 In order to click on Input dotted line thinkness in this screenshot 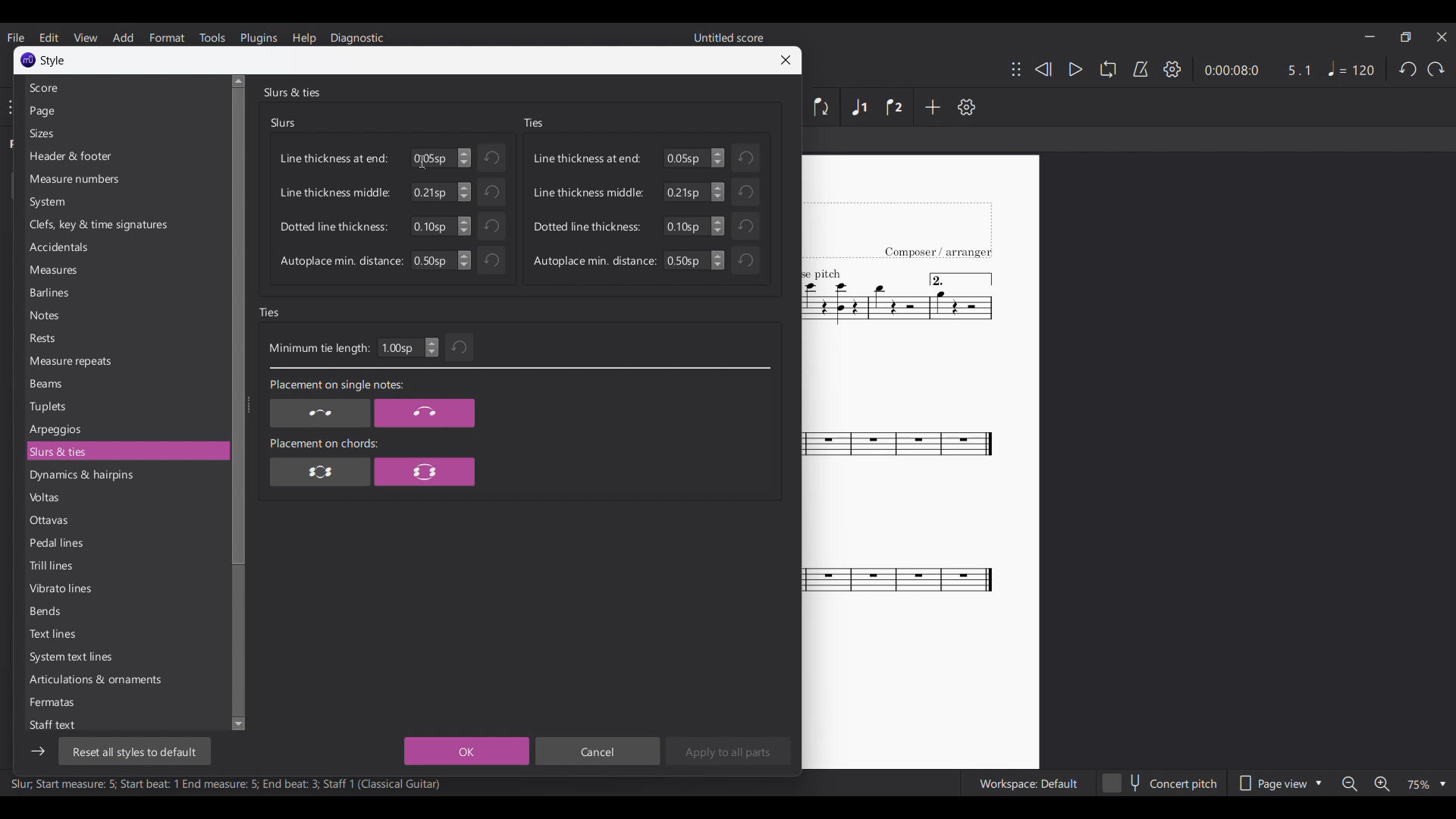, I will do `click(686, 226)`.